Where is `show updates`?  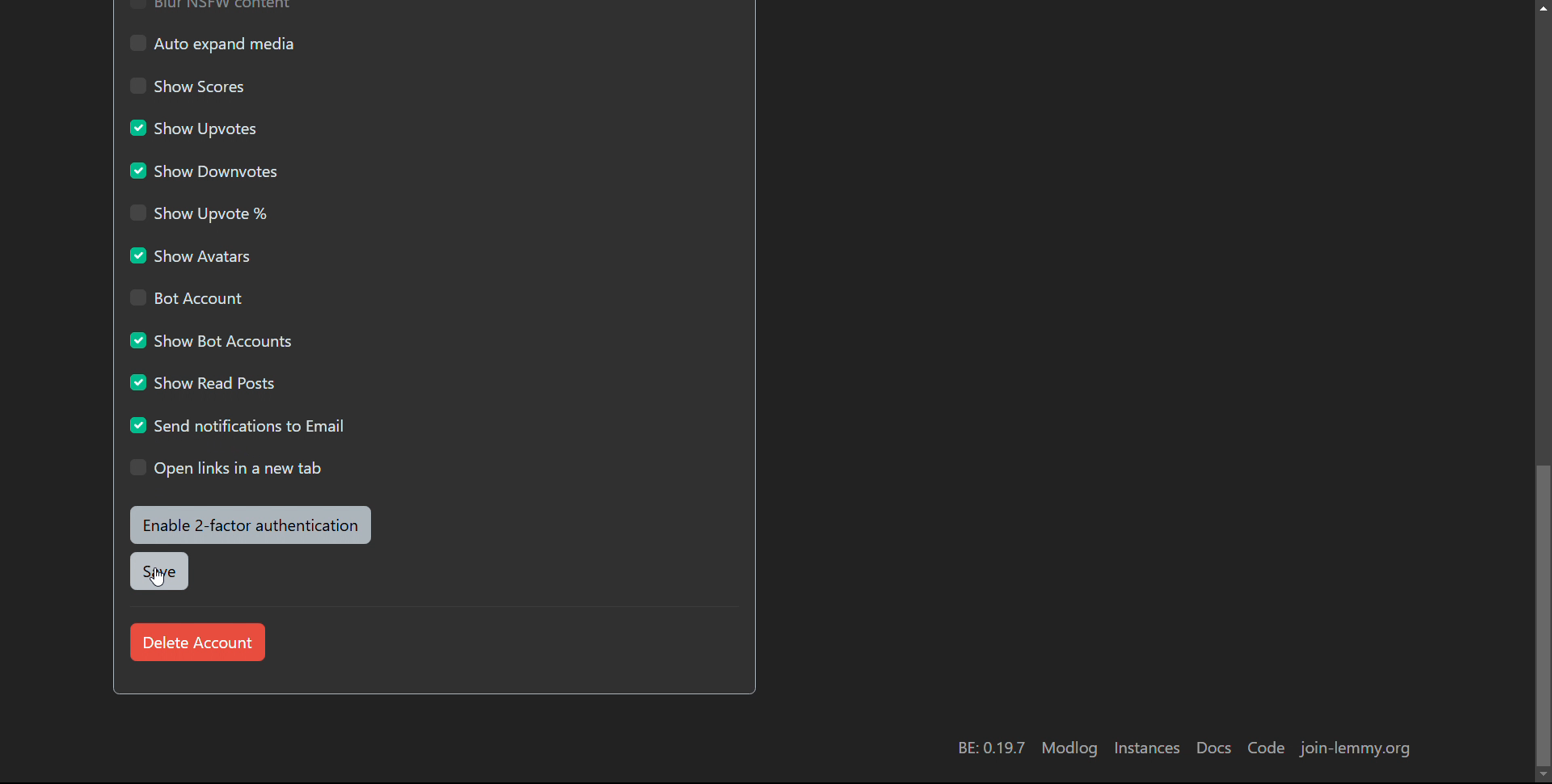
show updates is located at coordinates (193, 127).